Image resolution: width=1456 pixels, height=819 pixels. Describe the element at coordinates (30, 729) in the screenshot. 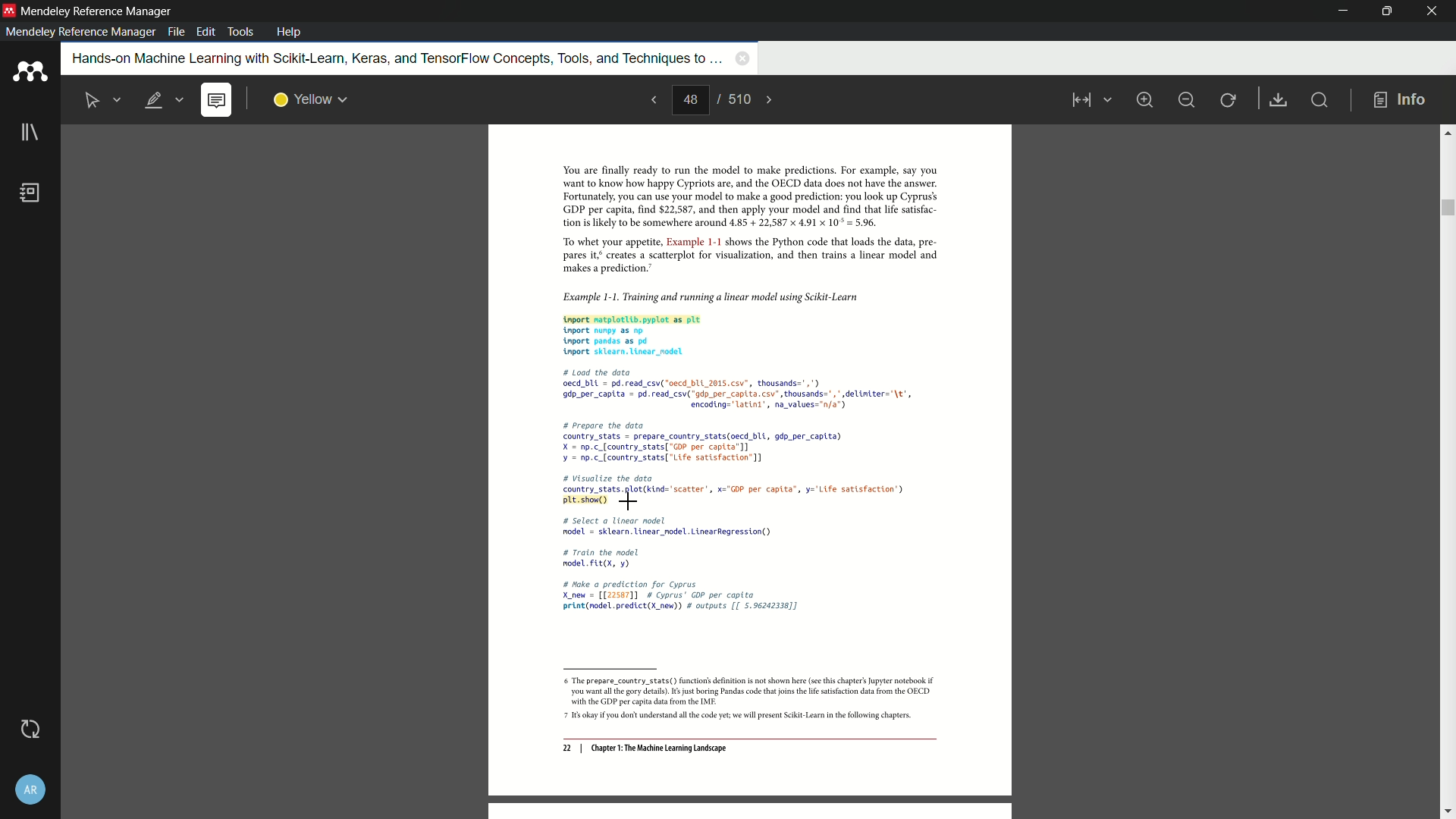

I see `sync` at that location.